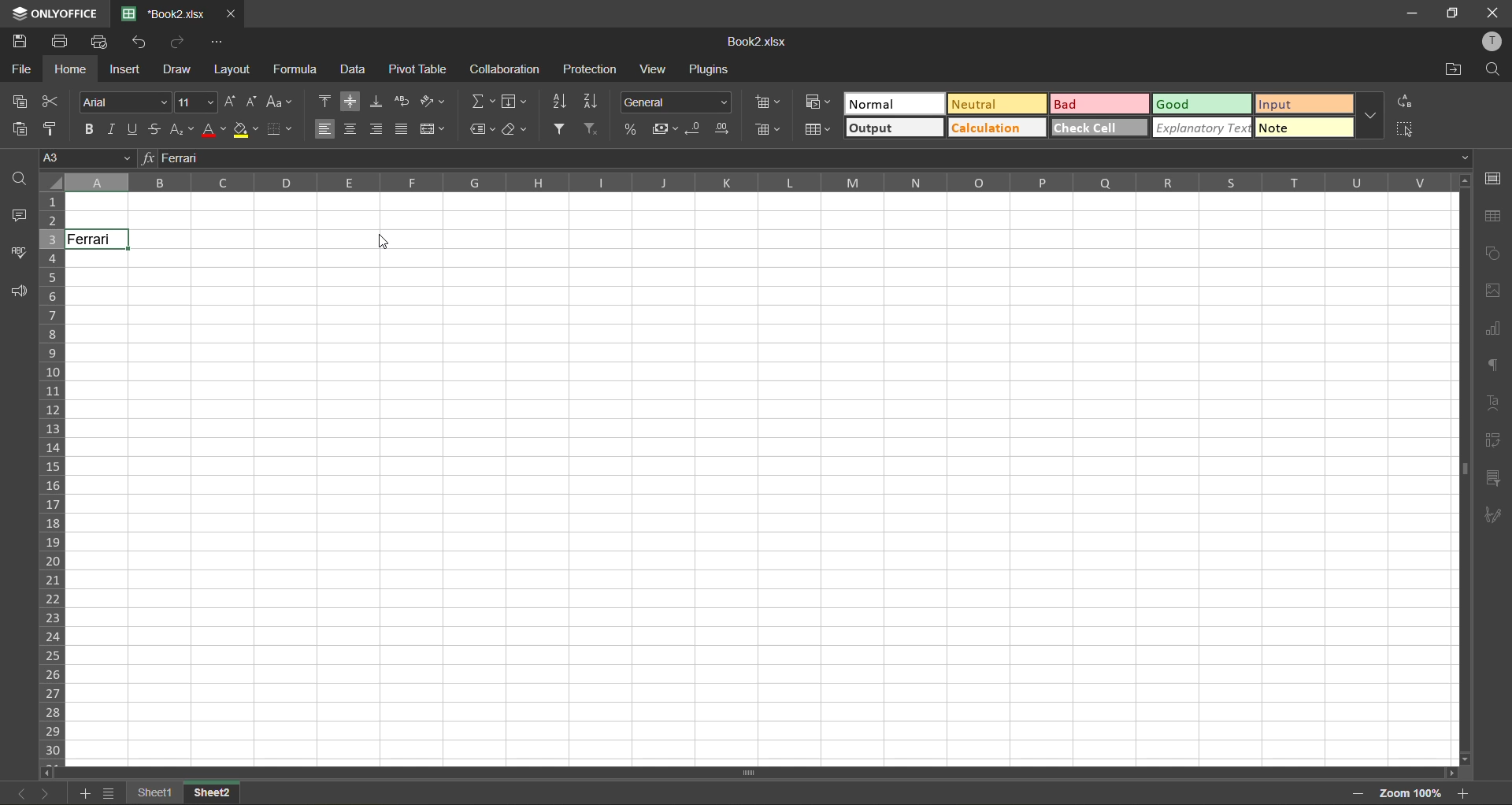 This screenshot has height=805, width=1512. What do you see at coordinates (380, 244) in the screenshot?
I see `cursor` at bounding box center [380, 244].